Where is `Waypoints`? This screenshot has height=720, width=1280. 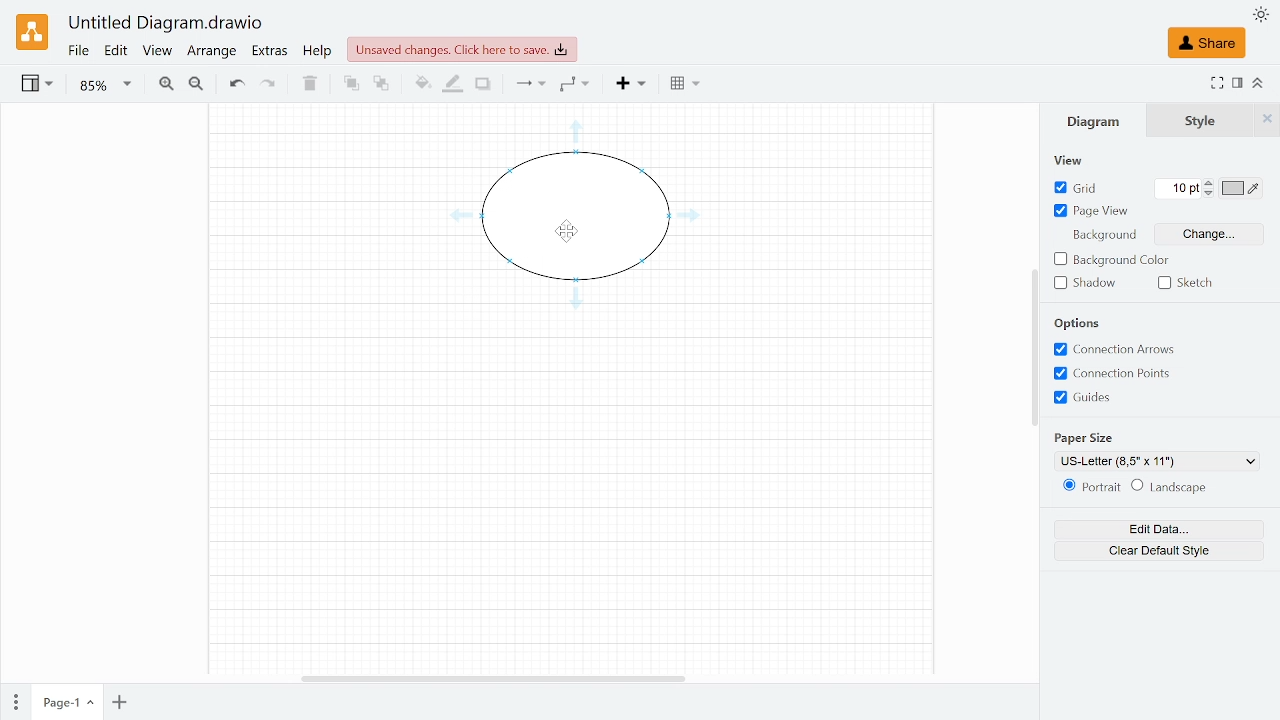
Waypoints is located at coordinates (576, 85).